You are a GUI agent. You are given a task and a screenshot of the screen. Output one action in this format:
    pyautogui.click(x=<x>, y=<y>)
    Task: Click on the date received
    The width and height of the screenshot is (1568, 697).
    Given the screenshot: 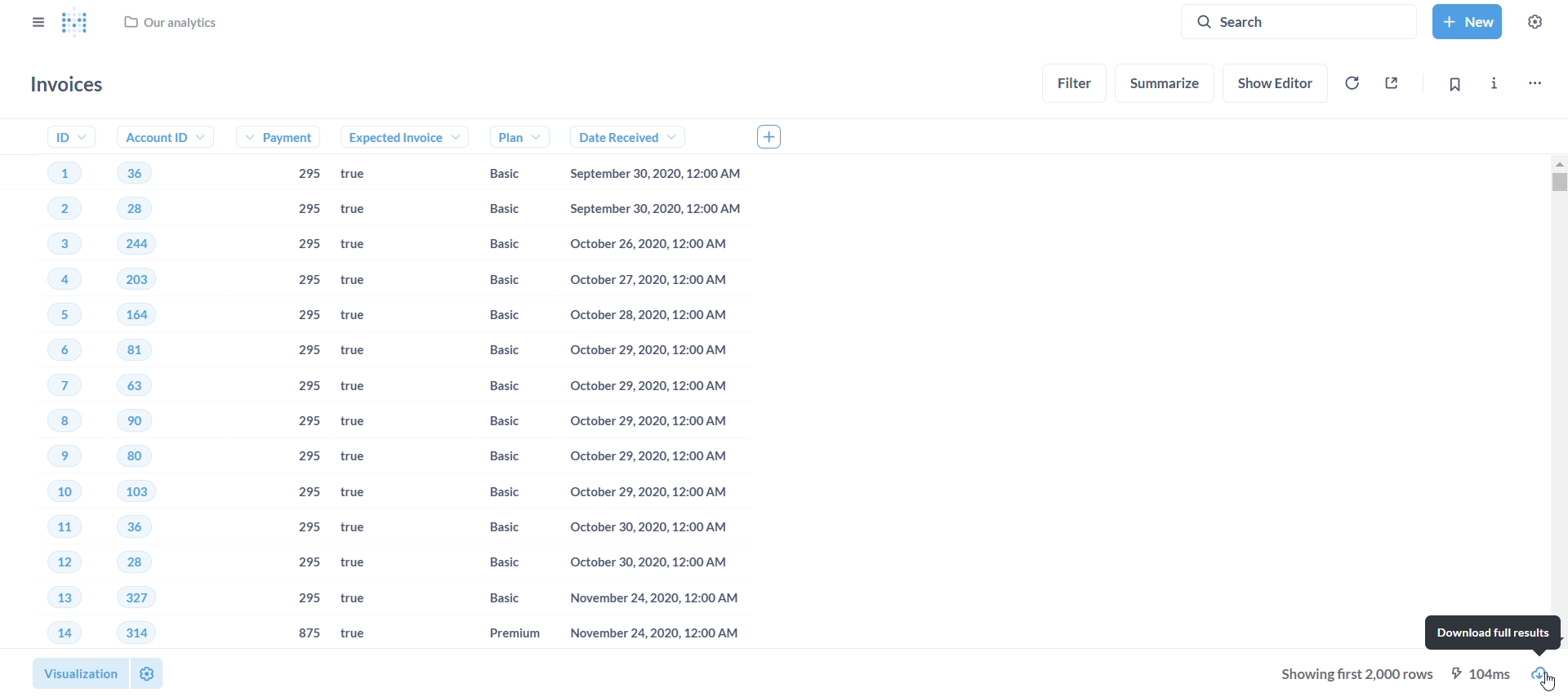 What is the action you would take?
    pyautogui.click(x=618, y=137)
    